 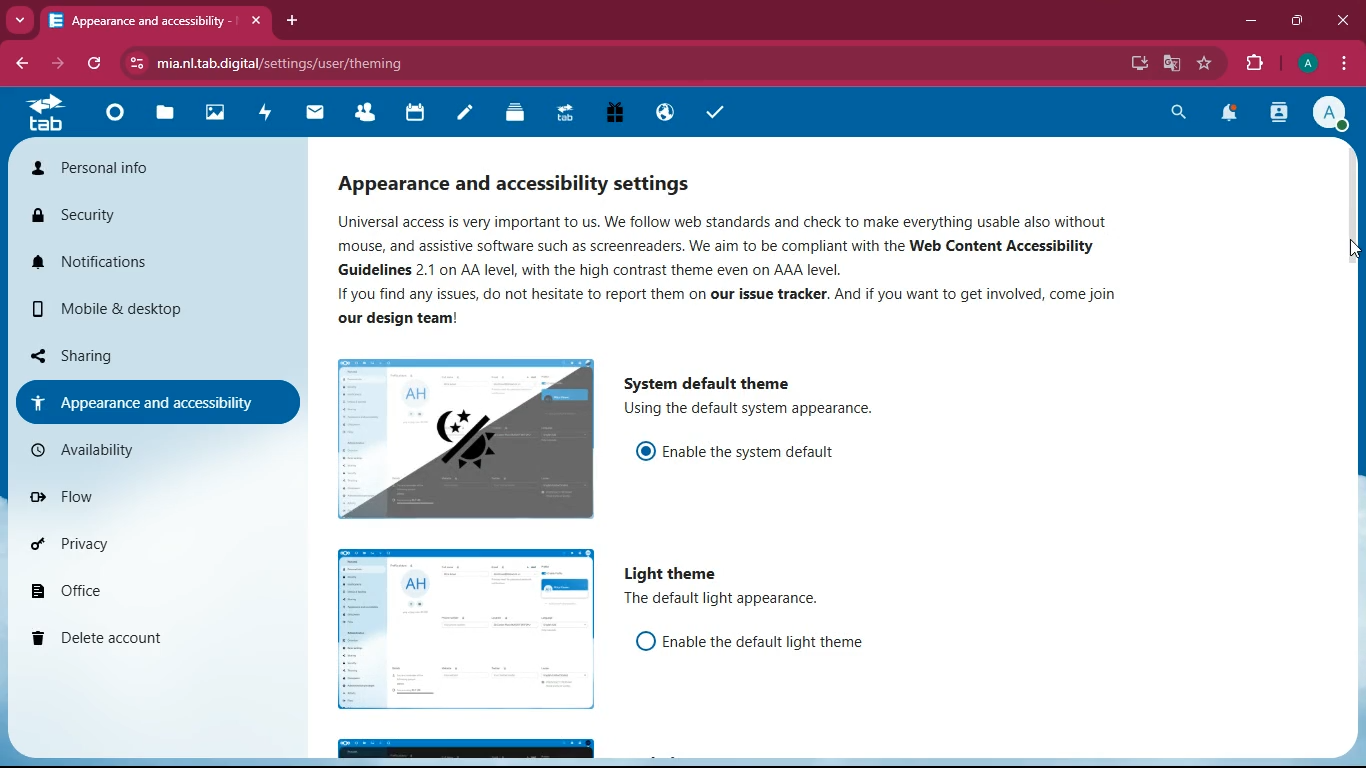 I want to click on home, so click(x=115, y=122).